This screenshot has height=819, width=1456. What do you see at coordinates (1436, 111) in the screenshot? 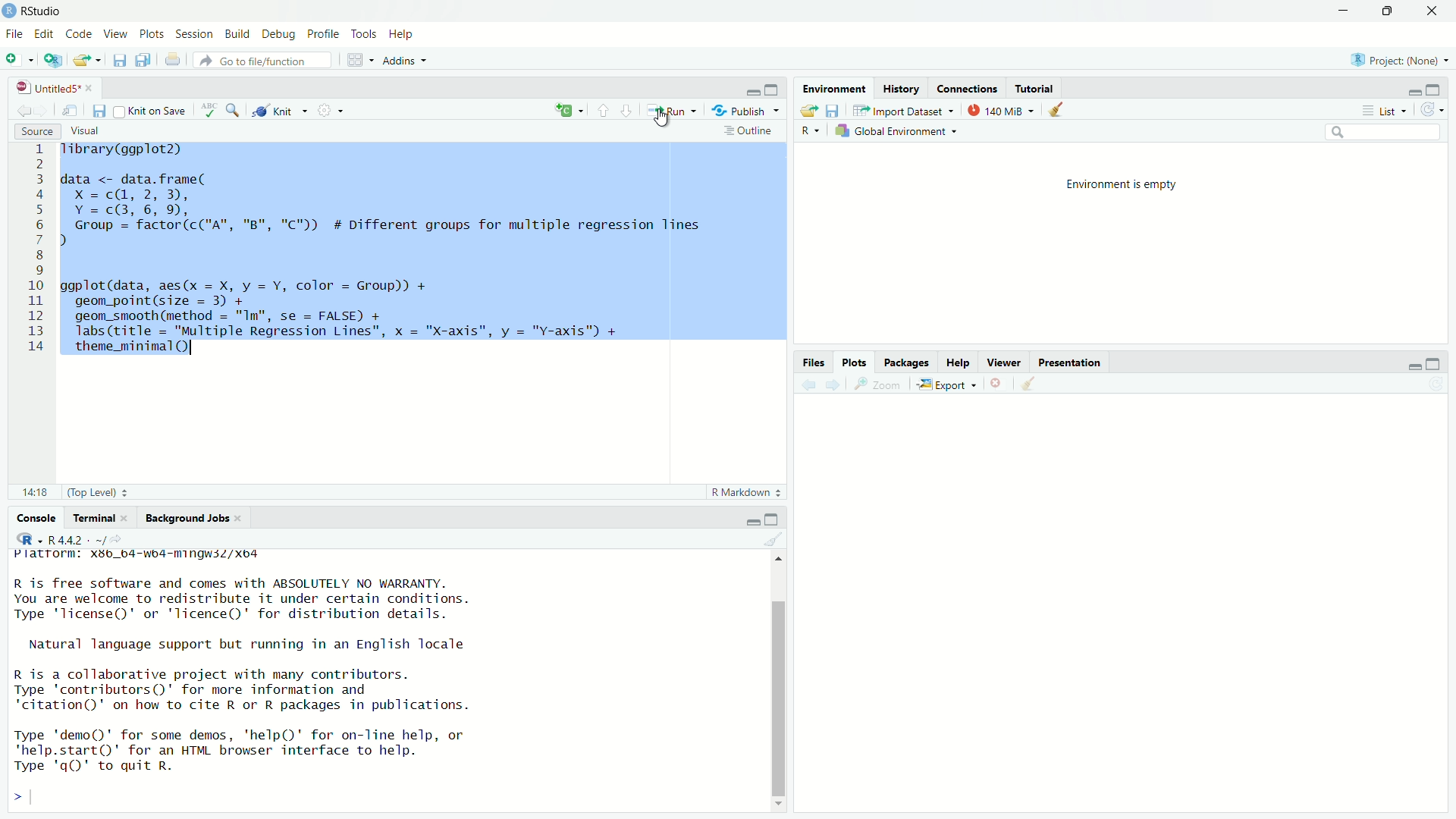
I see `refresh` at bounding box center [1436, 111].